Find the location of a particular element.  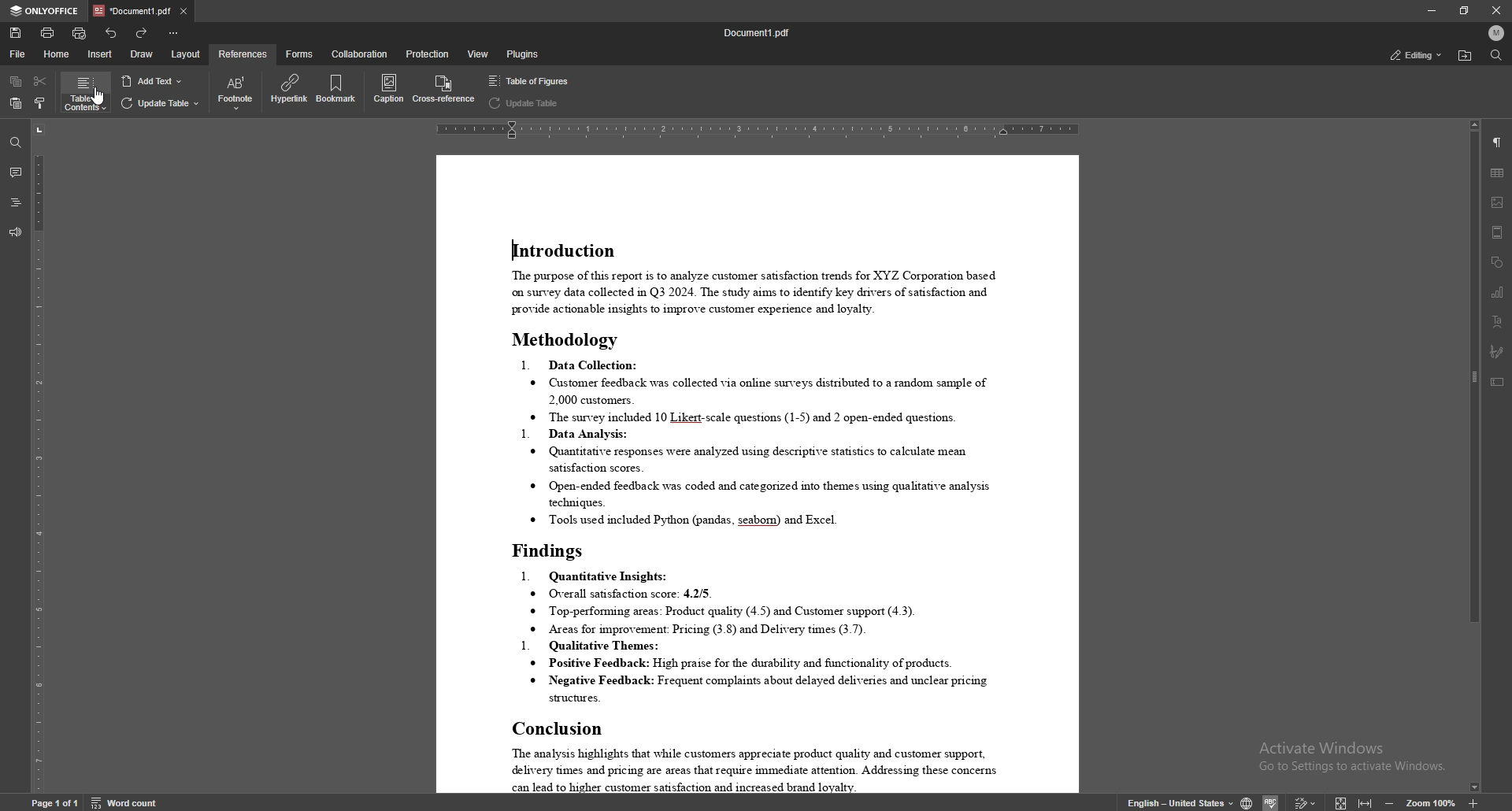

paste is located at coordinates (16, 103).